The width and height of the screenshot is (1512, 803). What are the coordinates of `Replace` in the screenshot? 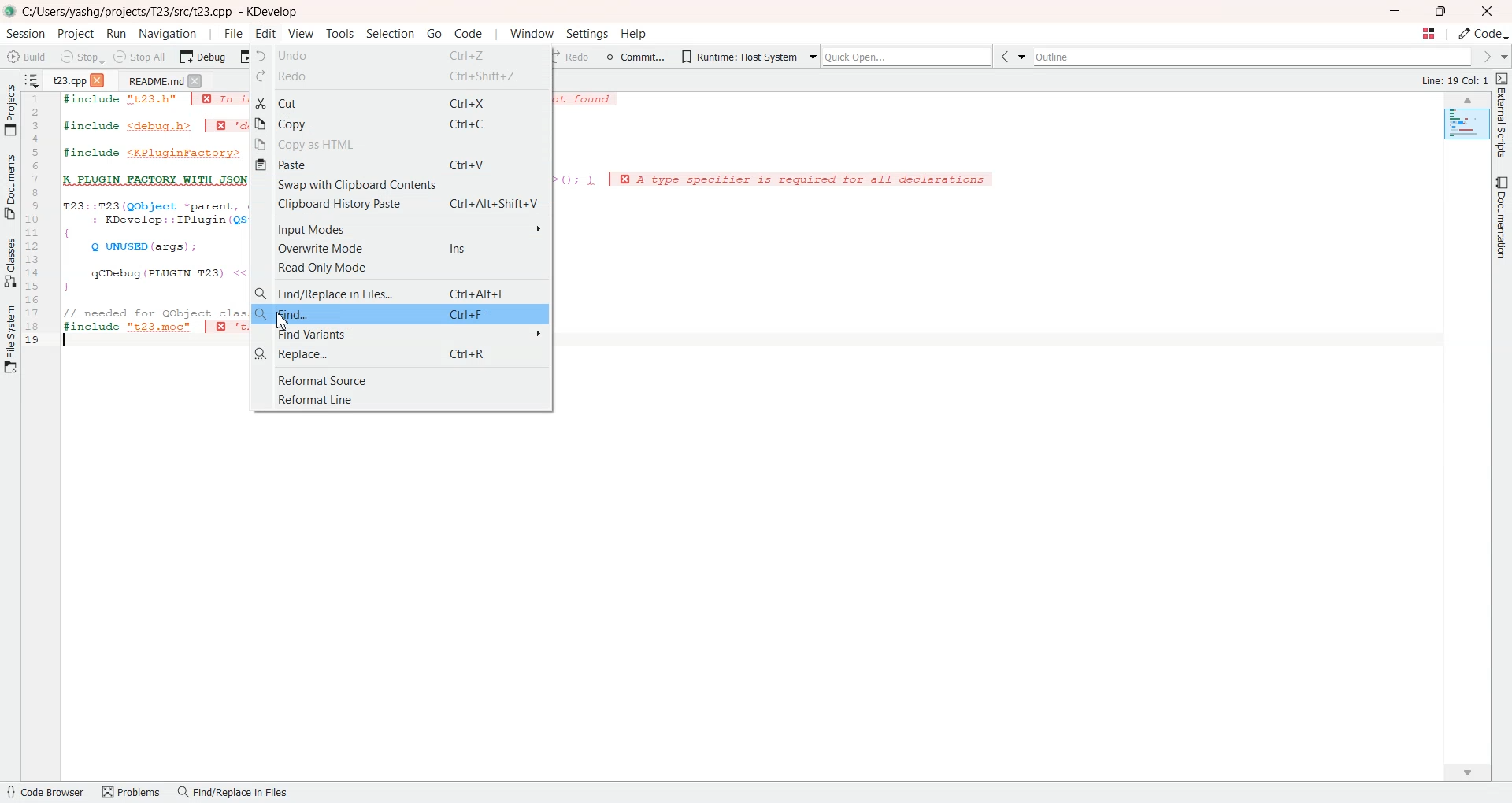 It's located at (402, 356).